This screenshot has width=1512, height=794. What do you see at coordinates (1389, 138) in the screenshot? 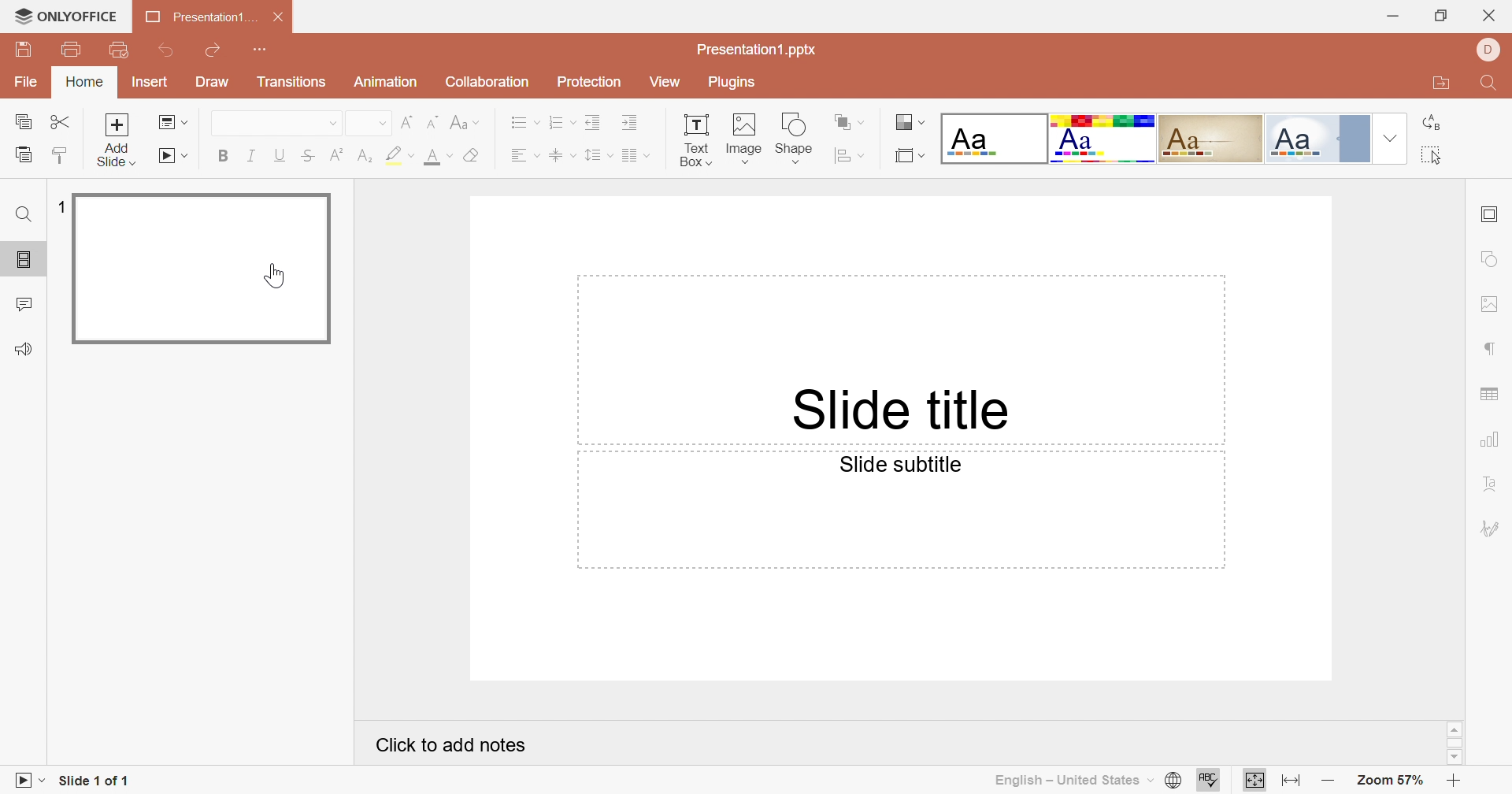
I see `Drop Down` at bounding box center [1389, 138].